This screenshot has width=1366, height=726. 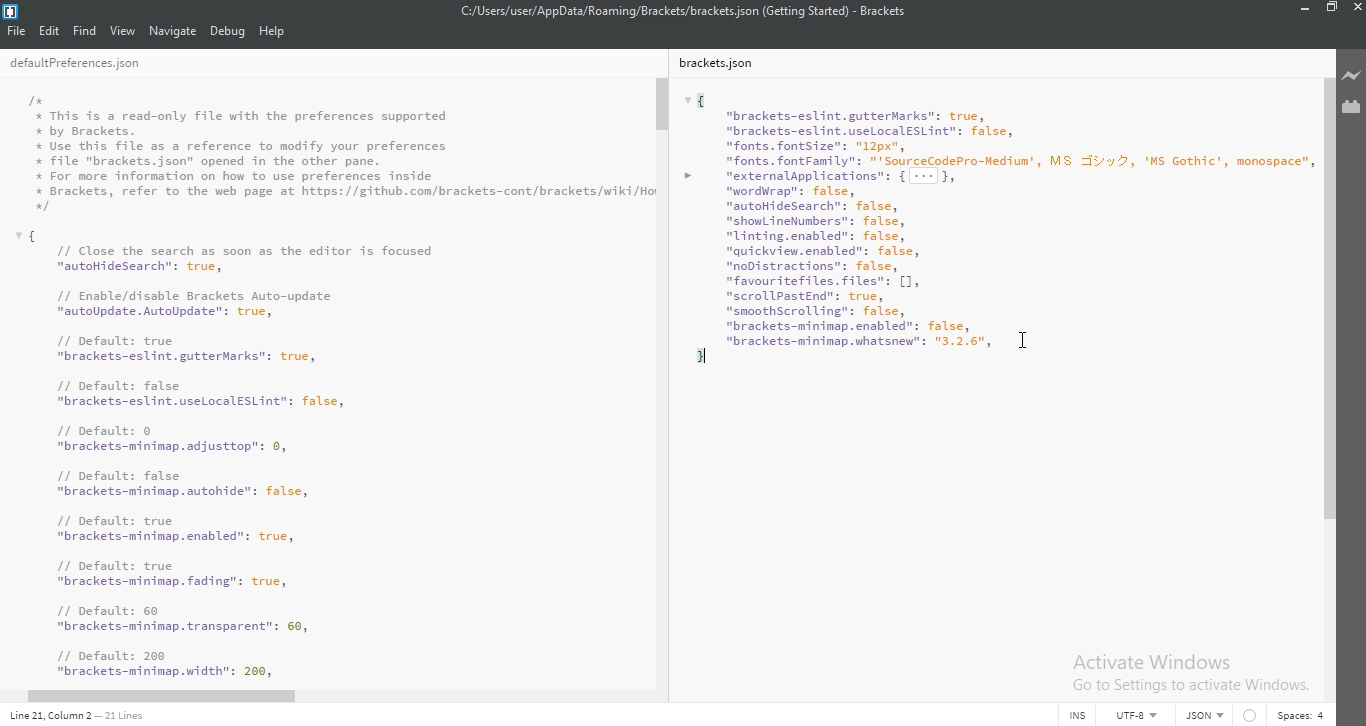 I want to click on Edit, so click(x=51, y=30).